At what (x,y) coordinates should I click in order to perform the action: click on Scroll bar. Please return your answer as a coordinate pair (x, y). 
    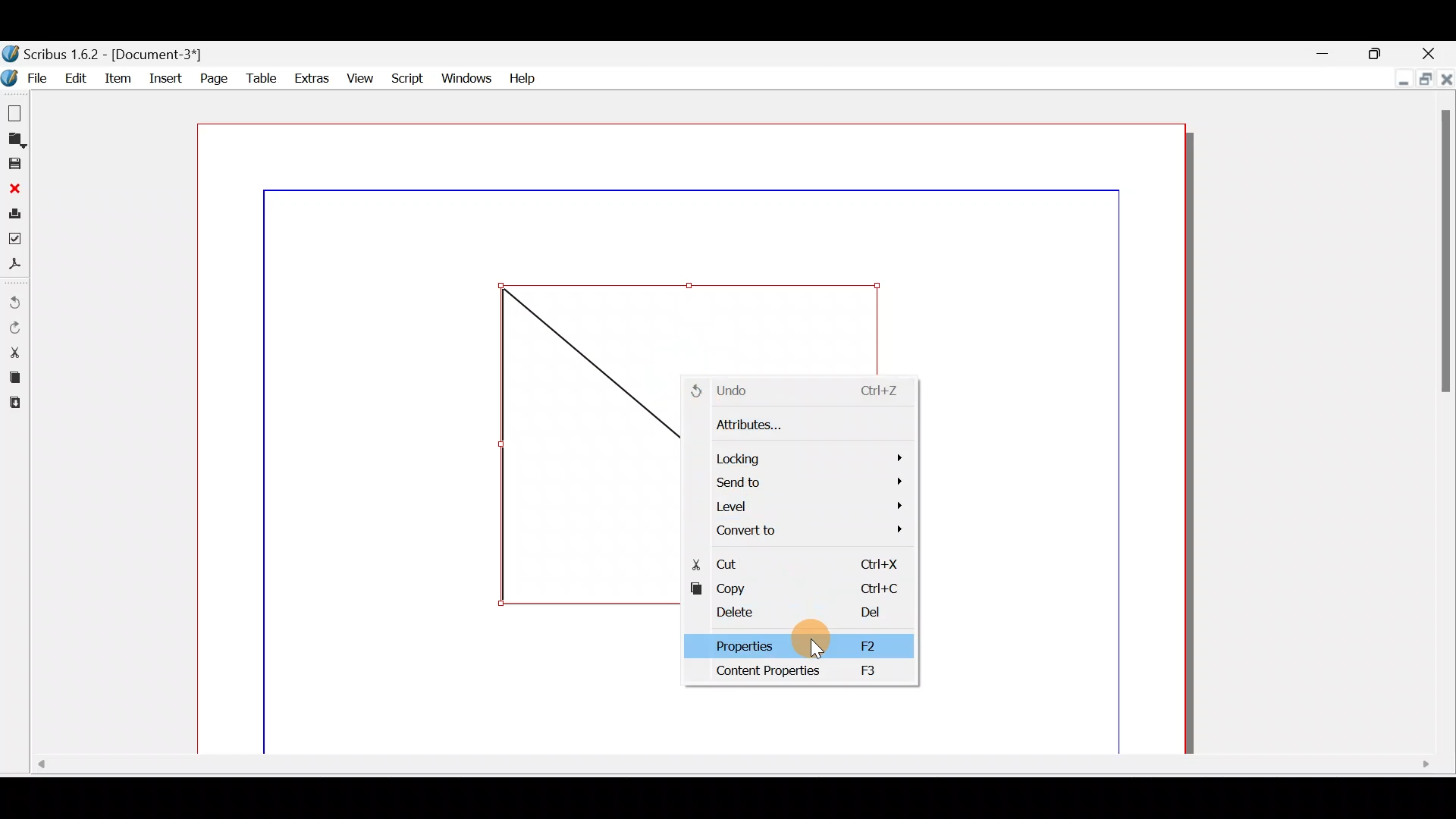
    Looking at the image, I should click on (1446, 427).